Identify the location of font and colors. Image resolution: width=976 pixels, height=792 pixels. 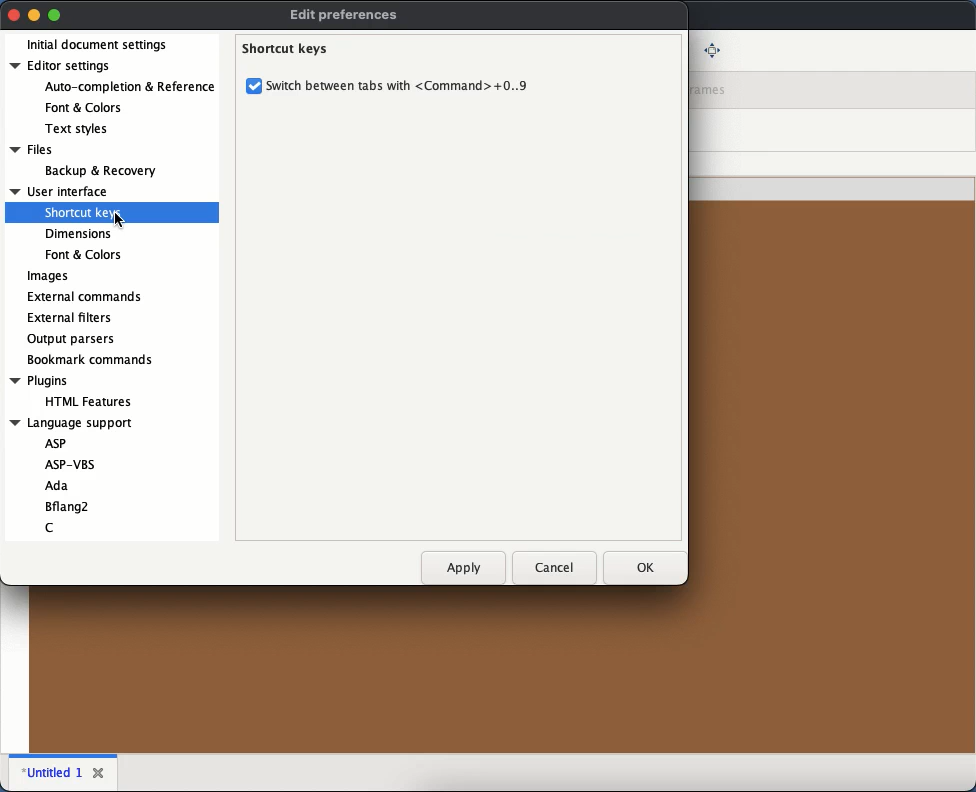
(84, 255).